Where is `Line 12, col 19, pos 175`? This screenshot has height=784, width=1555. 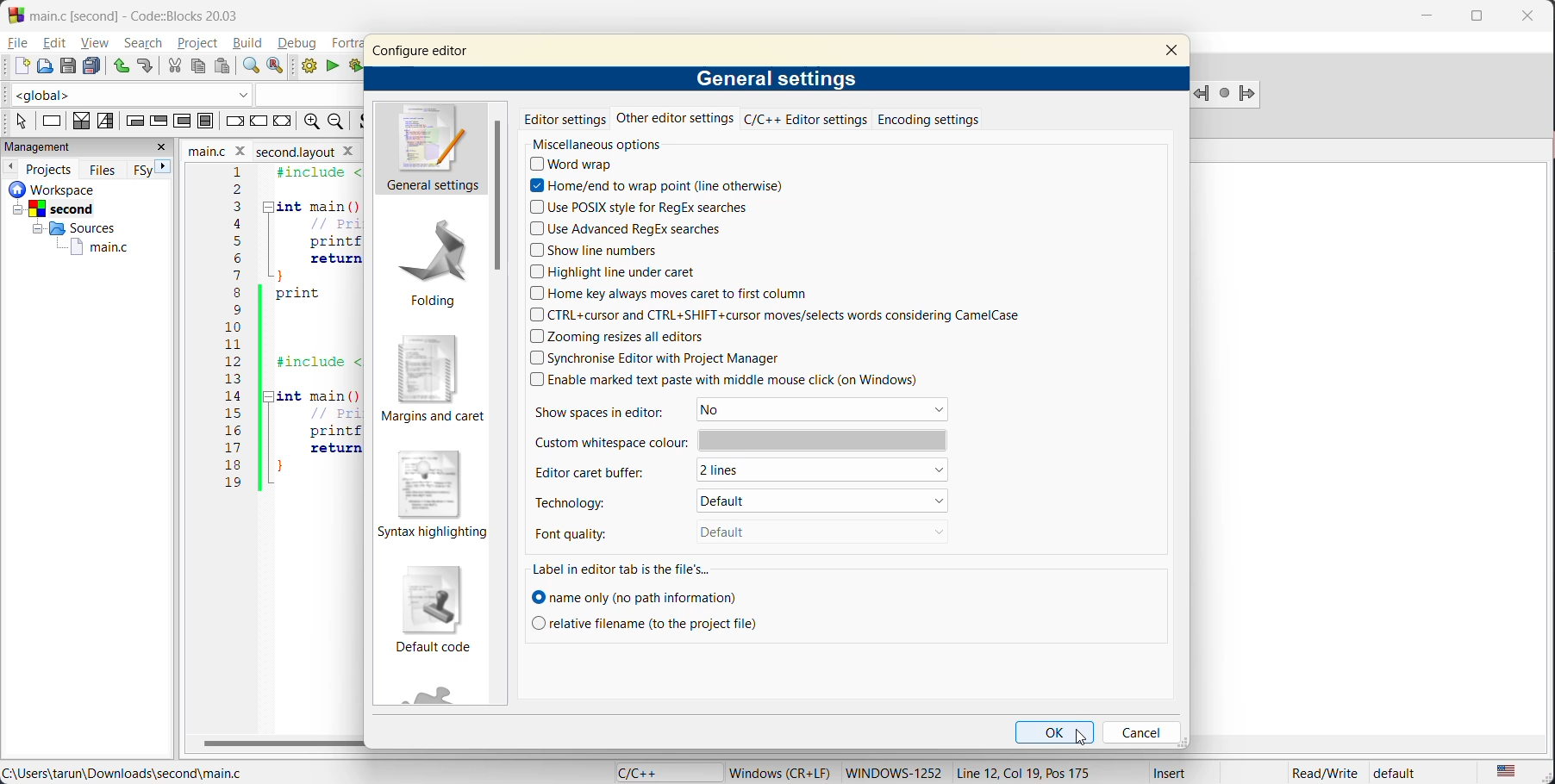
Line 12, col 19, pos 175 is located at coordinates (1034, 773).